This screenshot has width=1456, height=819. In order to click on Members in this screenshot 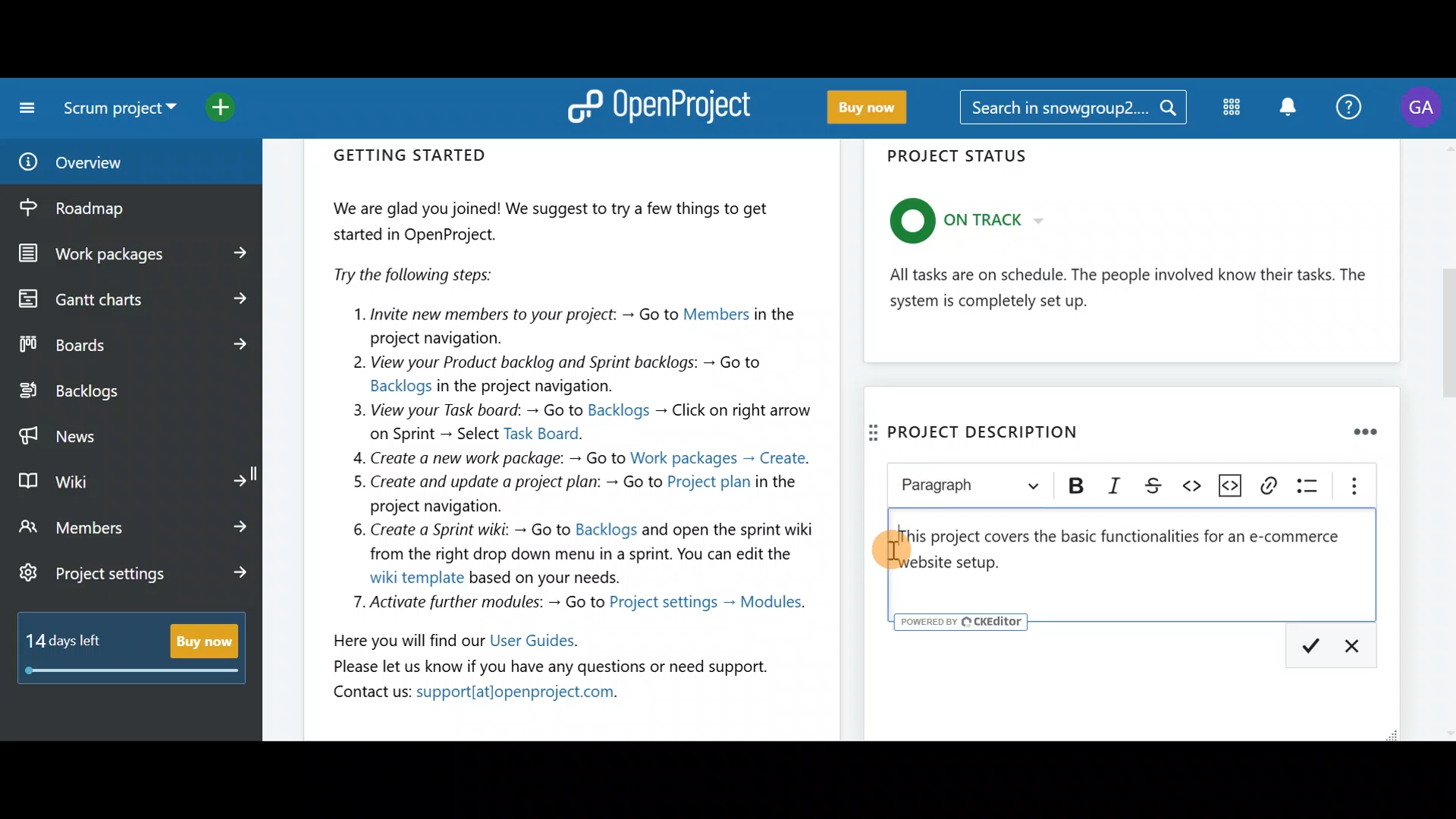, I will do `click(135, 526)`.